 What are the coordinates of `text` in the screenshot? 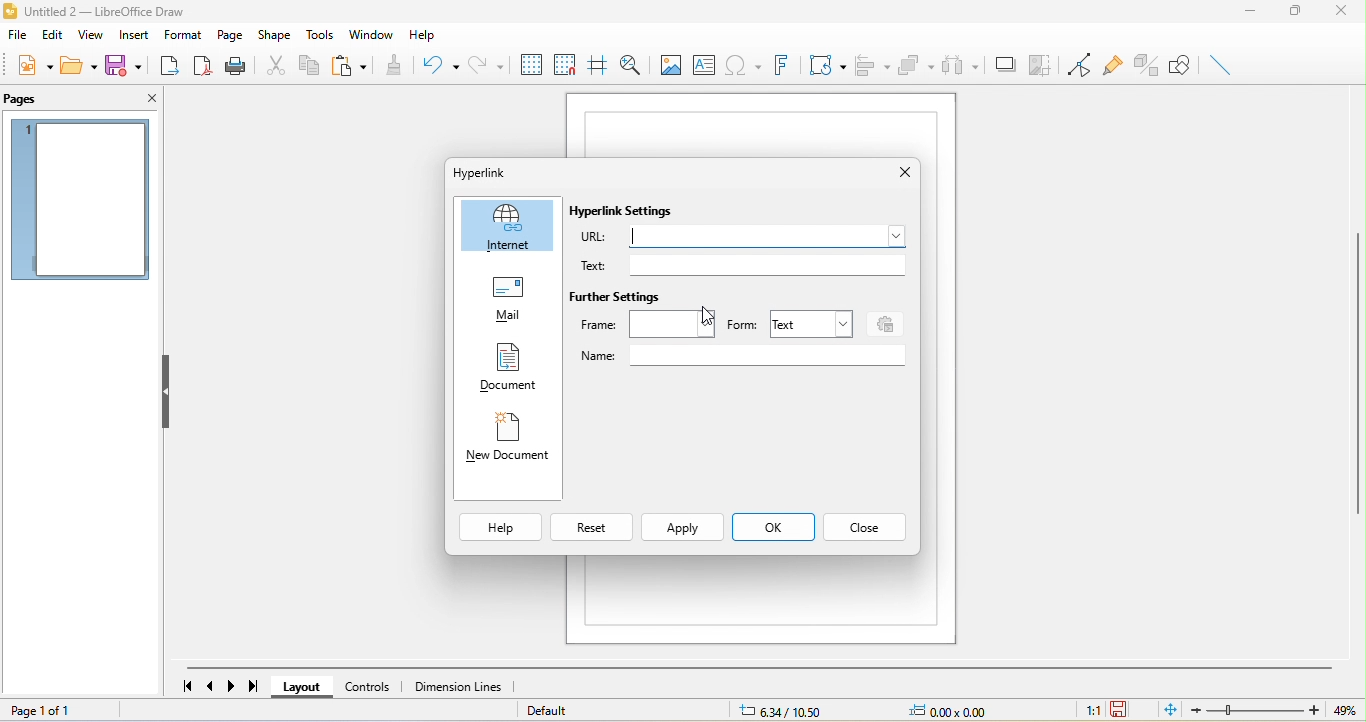 It's located at (746, 266).